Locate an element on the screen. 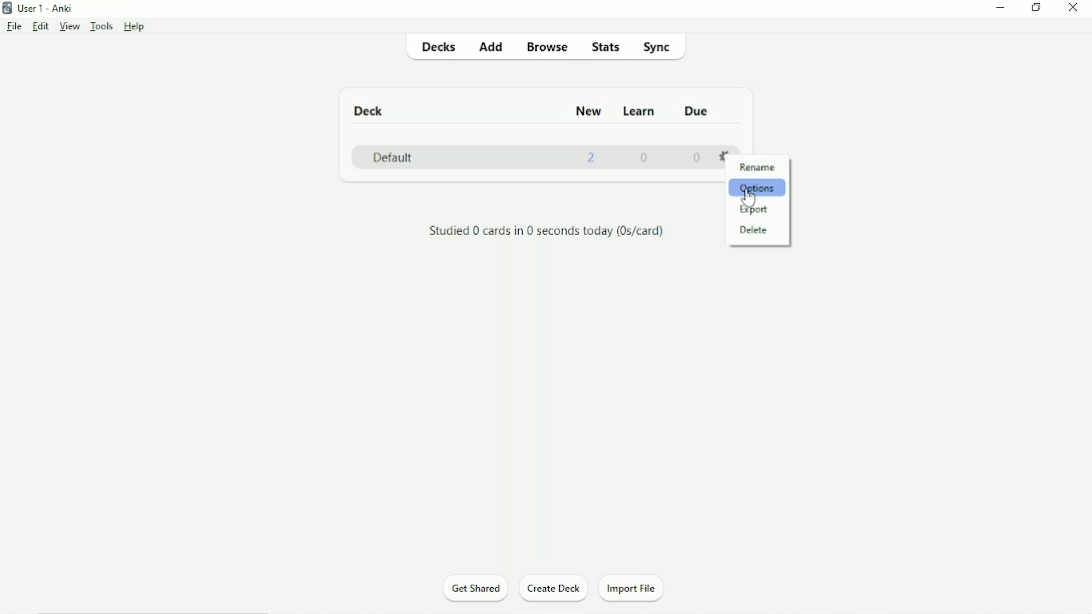 This screenshot has height=614, width=1092. Restore down is located at coordinates (1036, 9).